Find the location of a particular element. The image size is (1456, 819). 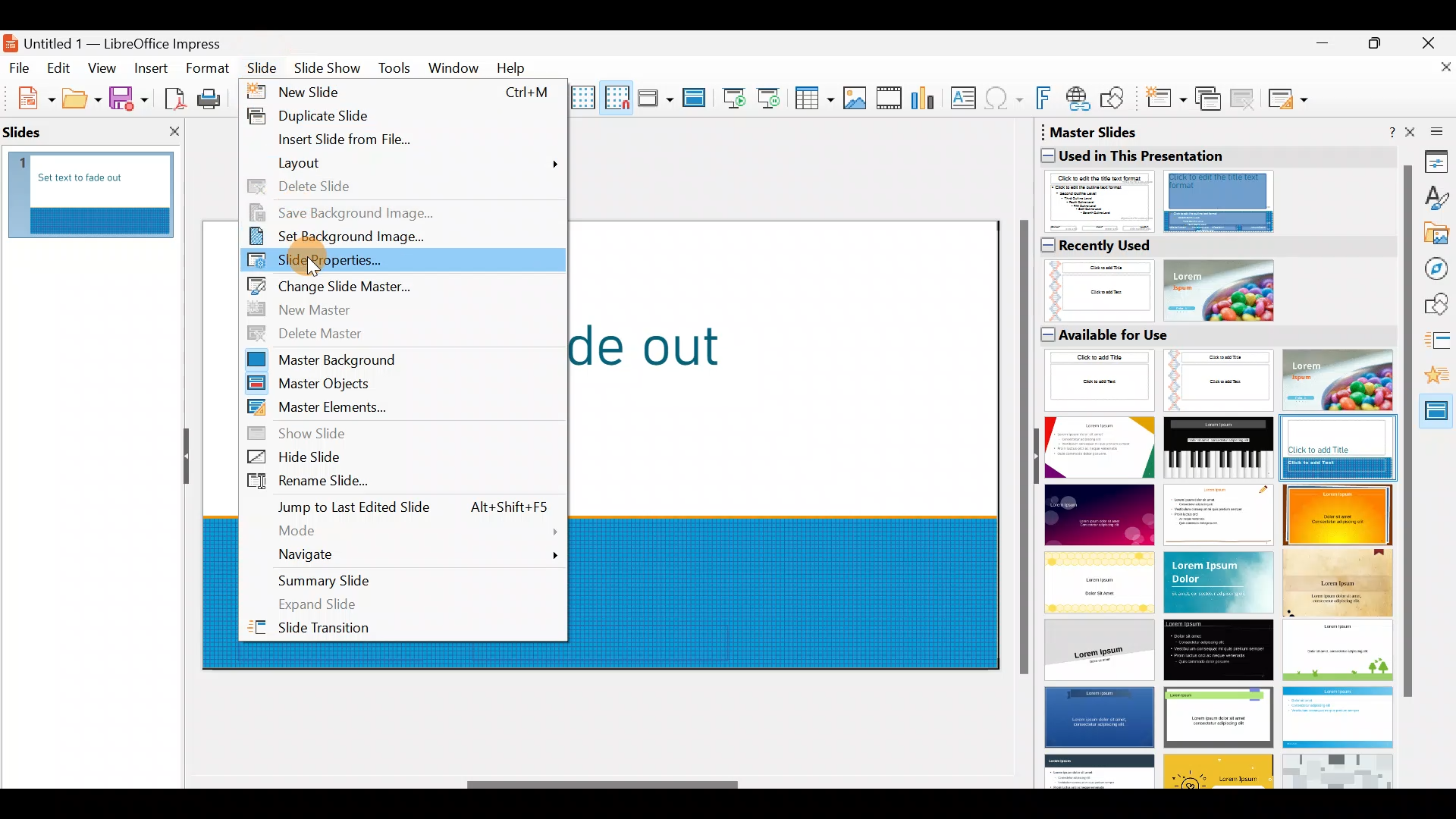

Delete master is located at coordinates (406, 332).